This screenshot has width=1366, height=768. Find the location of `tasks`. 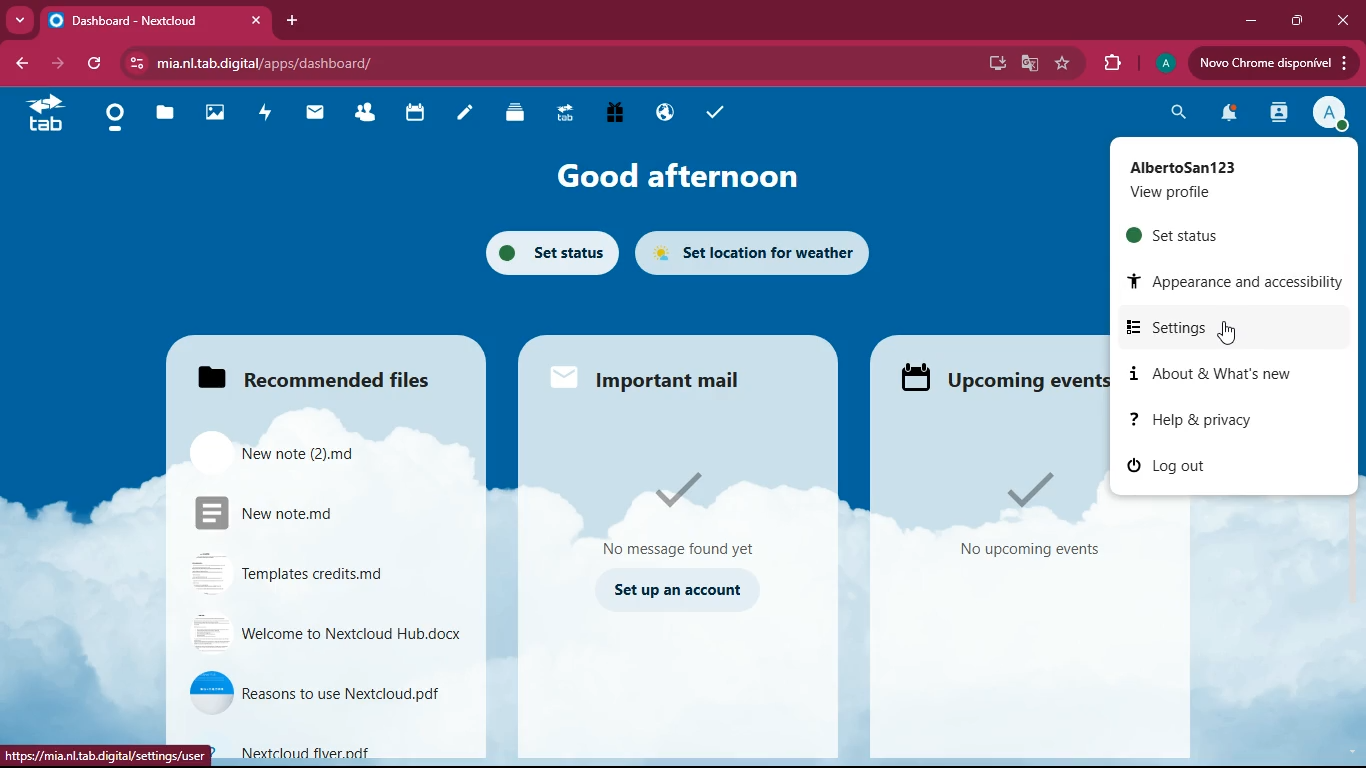

tasks is located at coordinates (711, 112).